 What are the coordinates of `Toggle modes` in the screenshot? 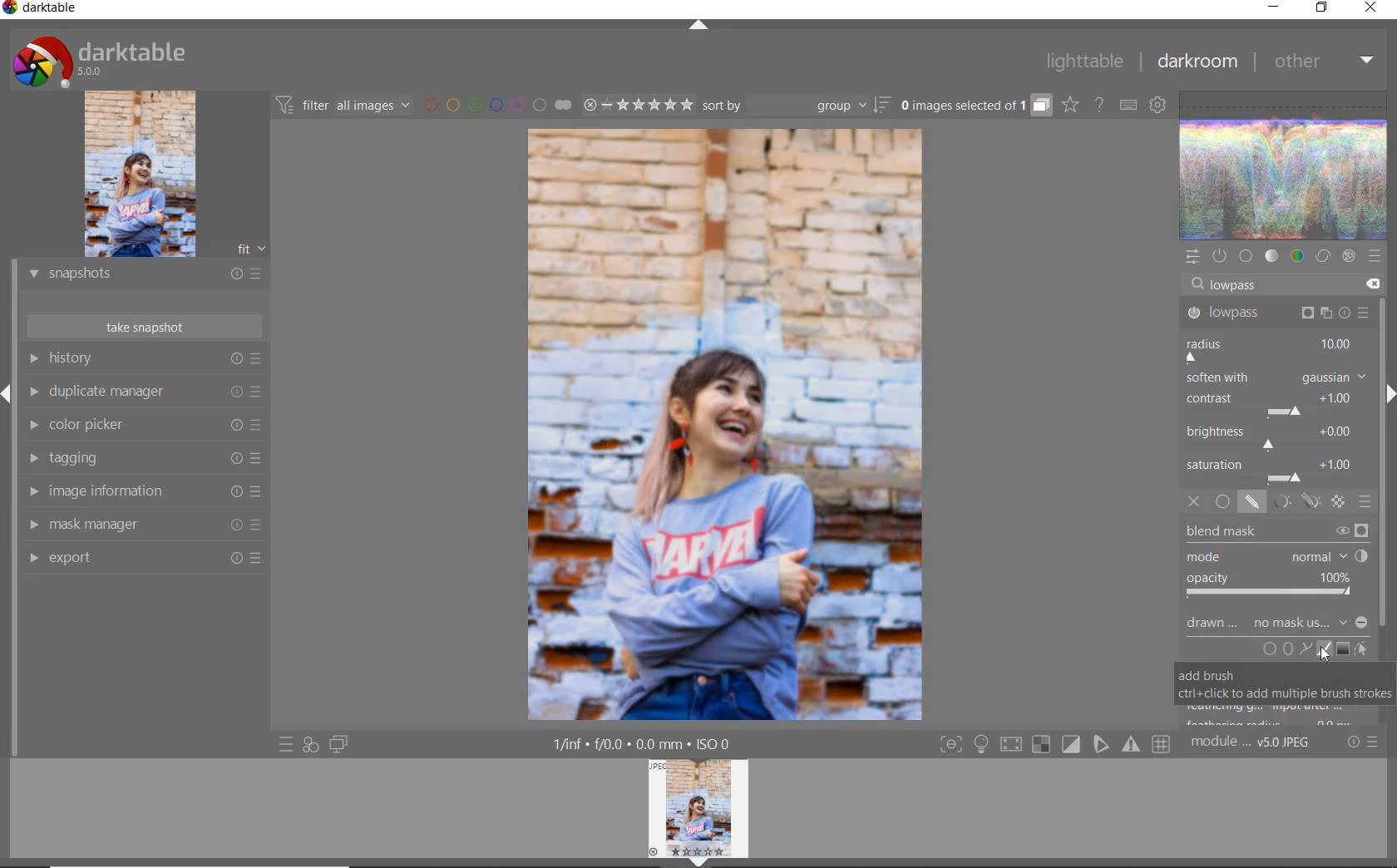 It's located at (1054, 745).